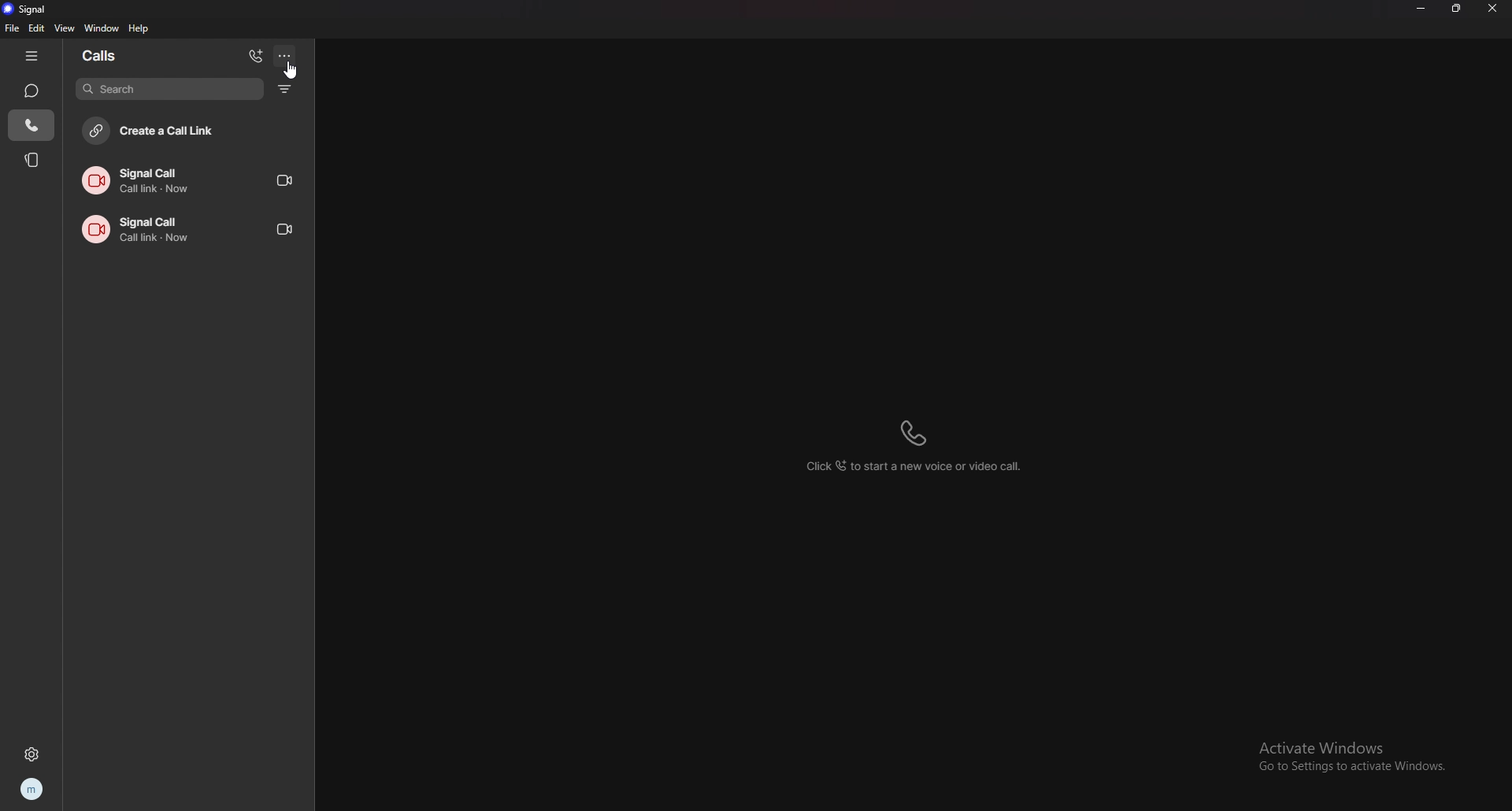 This screenshot has width=1512, height=811. Describe the element at coordinates (38, 28) in the screenshot. I see `edit` at that location.